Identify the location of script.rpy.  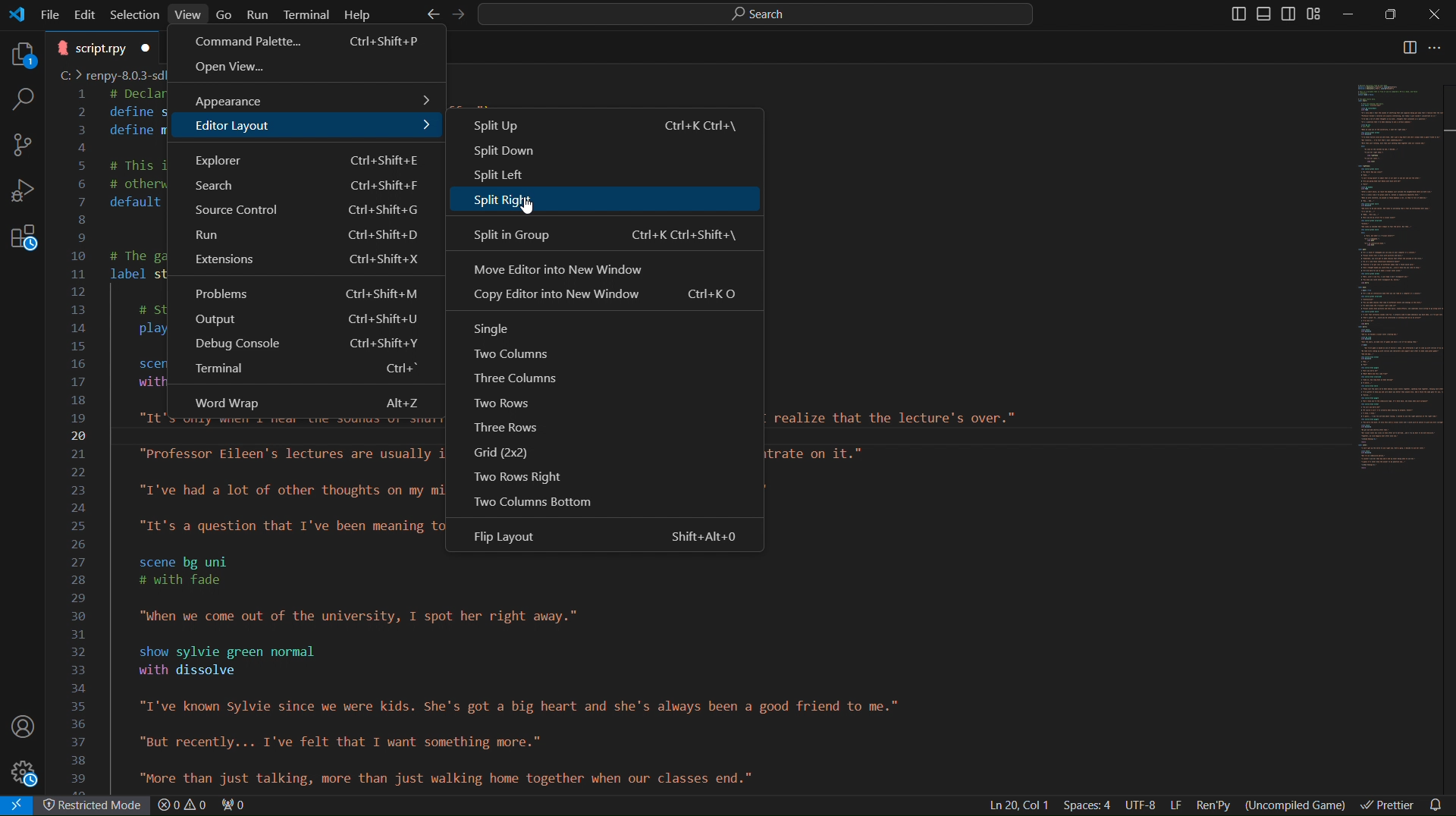
(103, 47).